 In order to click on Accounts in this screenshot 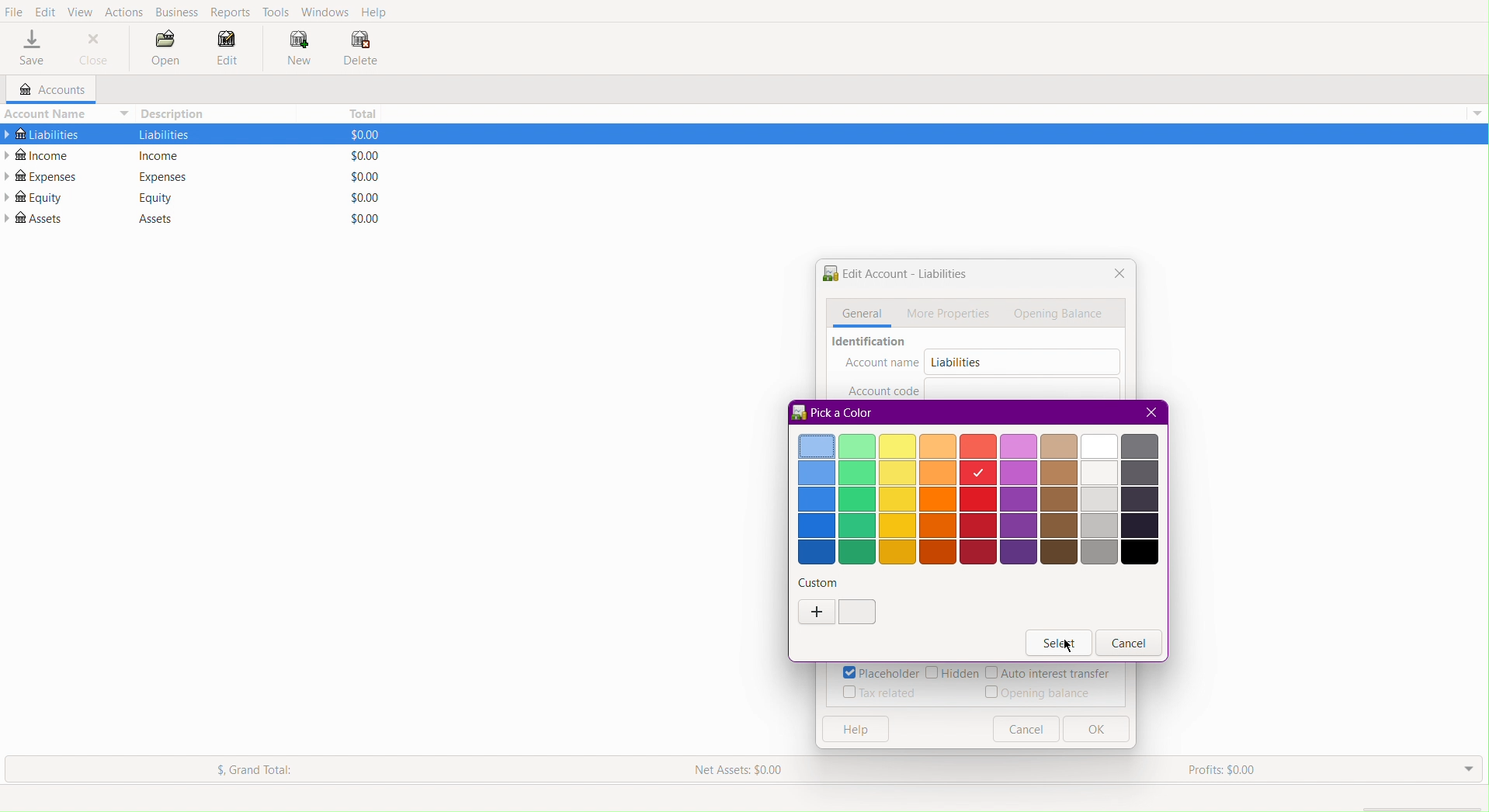, I will do `click(45, 90)`.